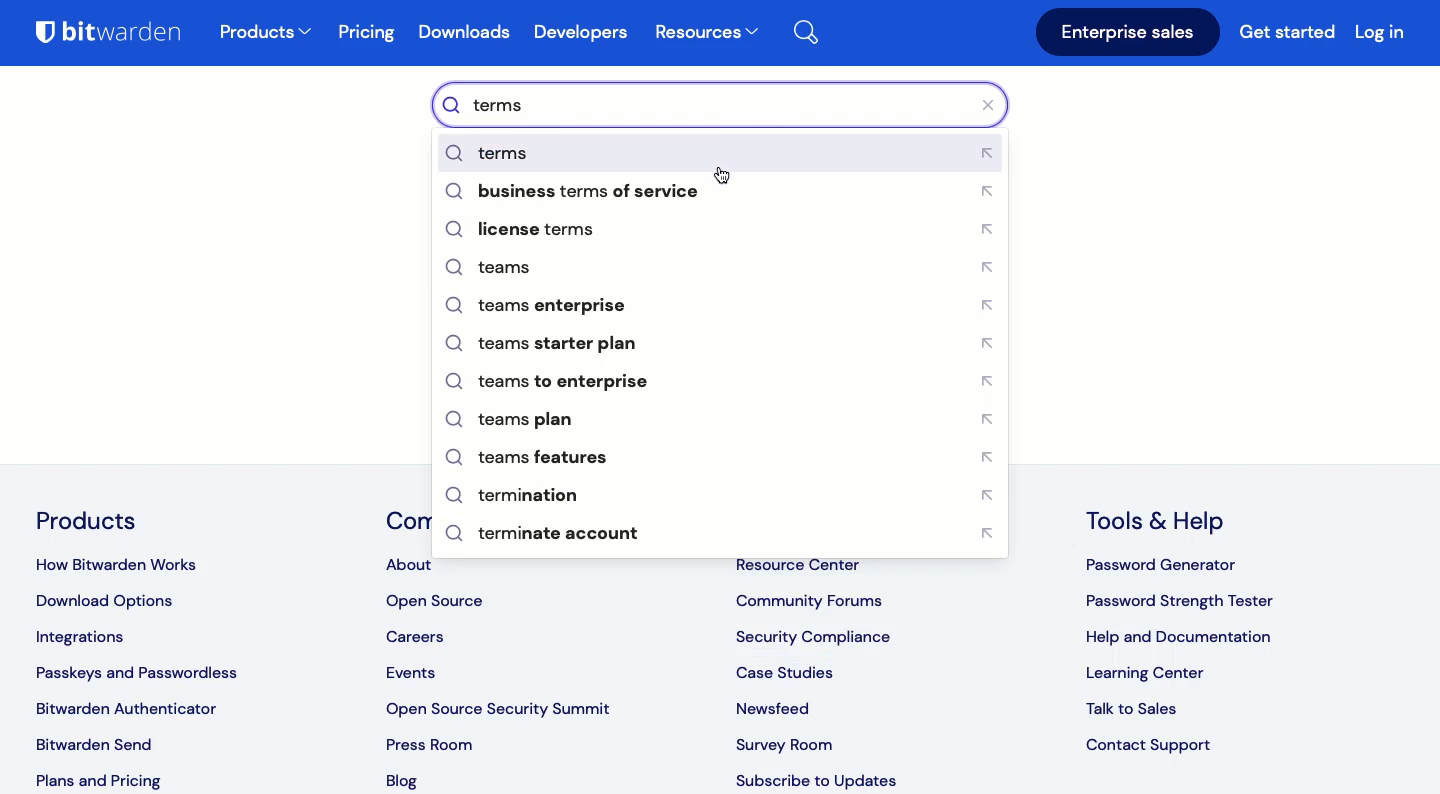  What do you see at coordinates (725, 306) in the screenshot?
I see `teams enterprise` at bounding box center [725, 306].